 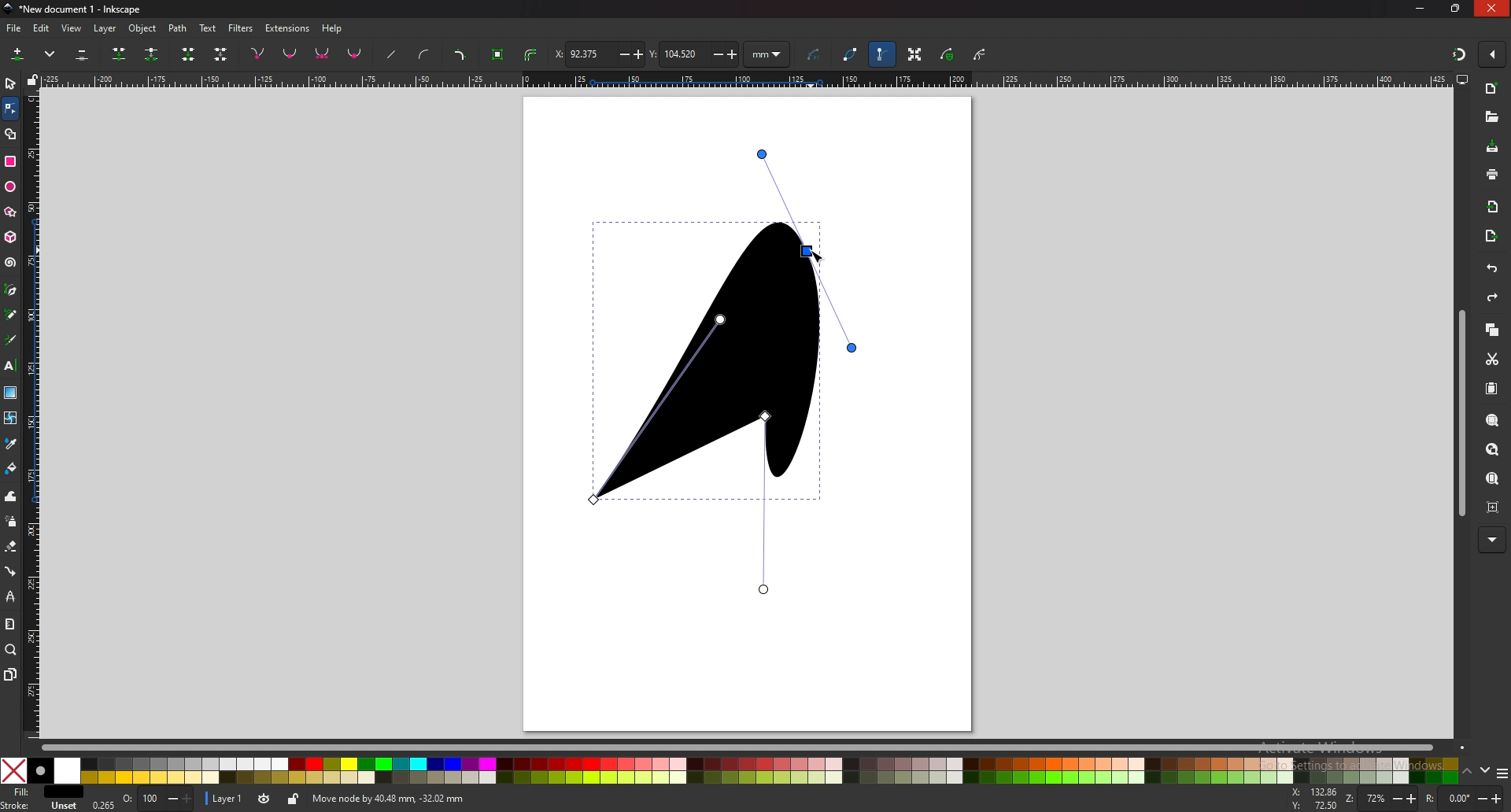 What do you see at coordinates (265, 799) in the screenshot?
I see `toggle visibility` at bounding box center [265, 799].